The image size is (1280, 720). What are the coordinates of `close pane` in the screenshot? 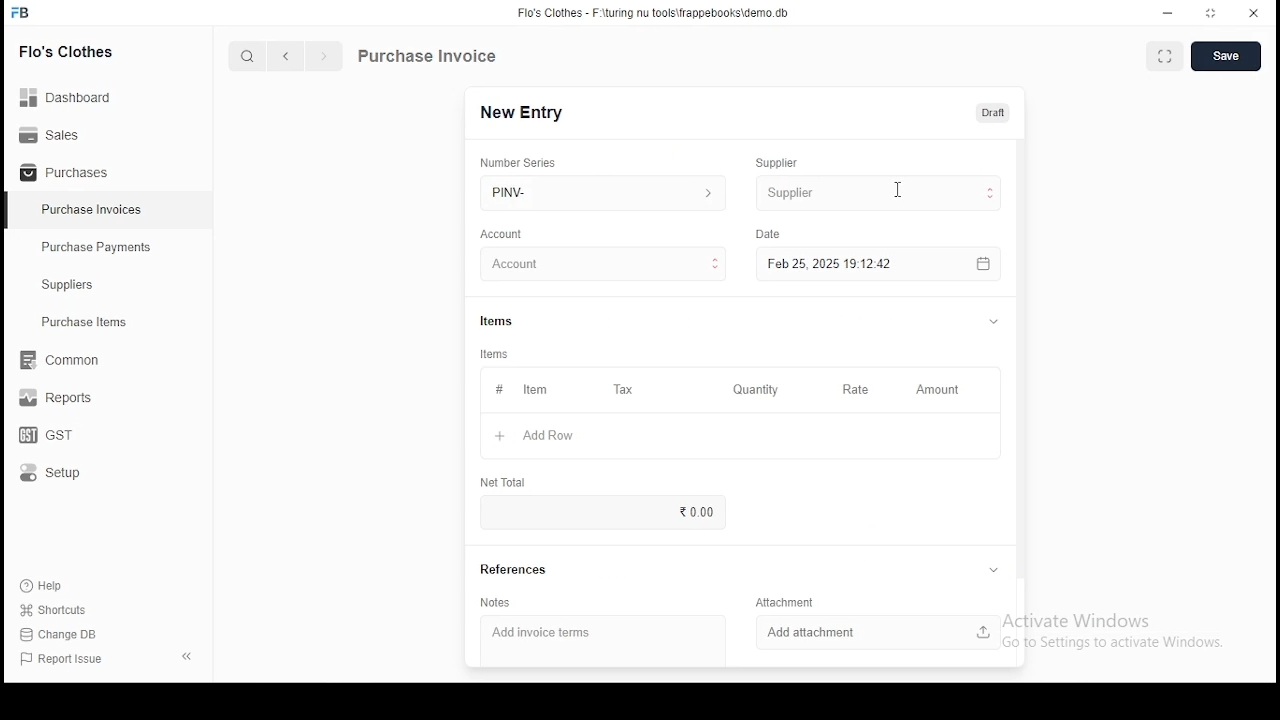 It's located at (185, 655).